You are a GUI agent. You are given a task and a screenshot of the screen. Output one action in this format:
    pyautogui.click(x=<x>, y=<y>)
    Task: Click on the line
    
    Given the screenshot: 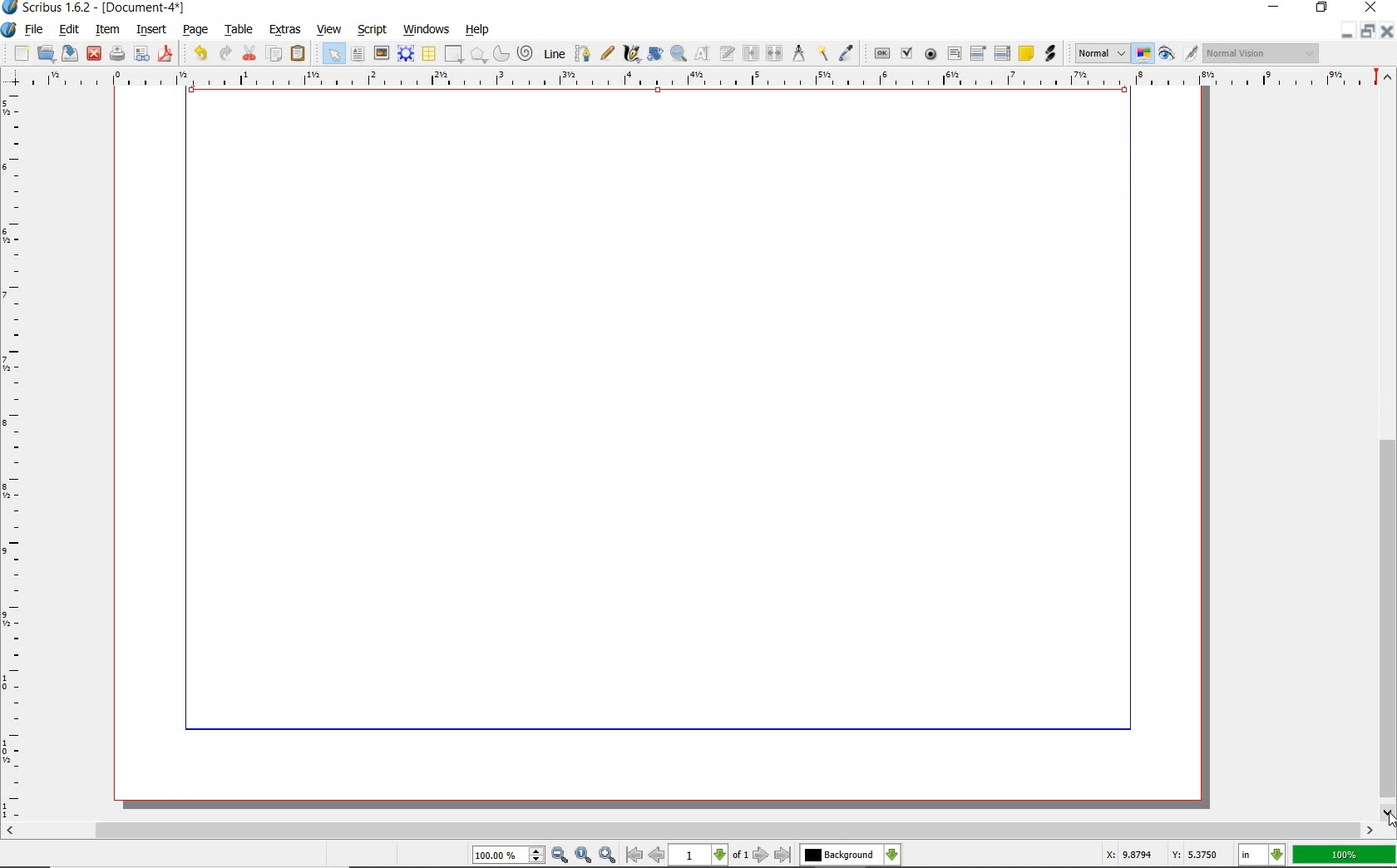 What is the action you would take?
    pyautogui.click(x=554, y=54)
    